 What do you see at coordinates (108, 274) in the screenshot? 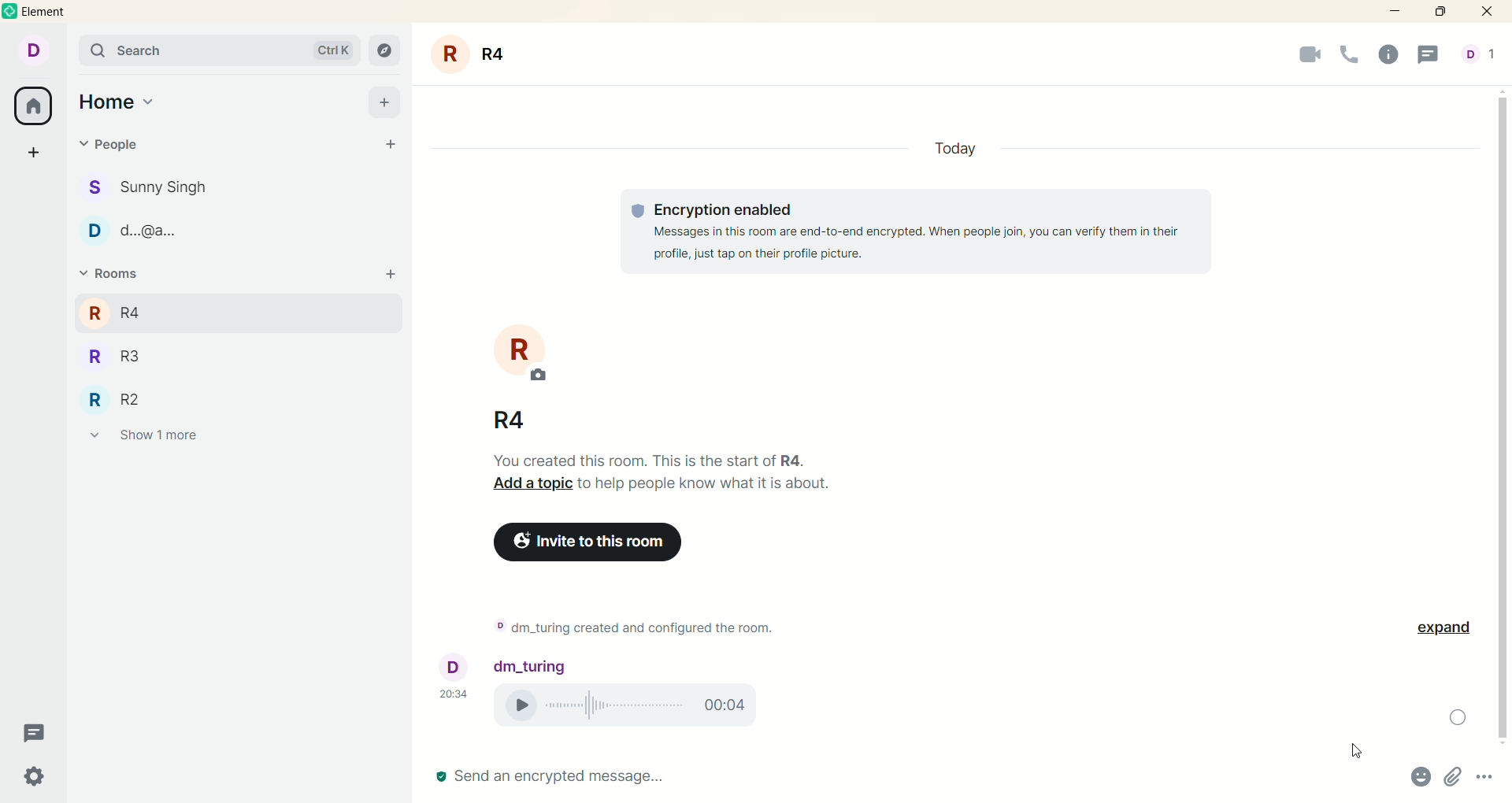
I see `rooms` at bounding box center [108, 274].